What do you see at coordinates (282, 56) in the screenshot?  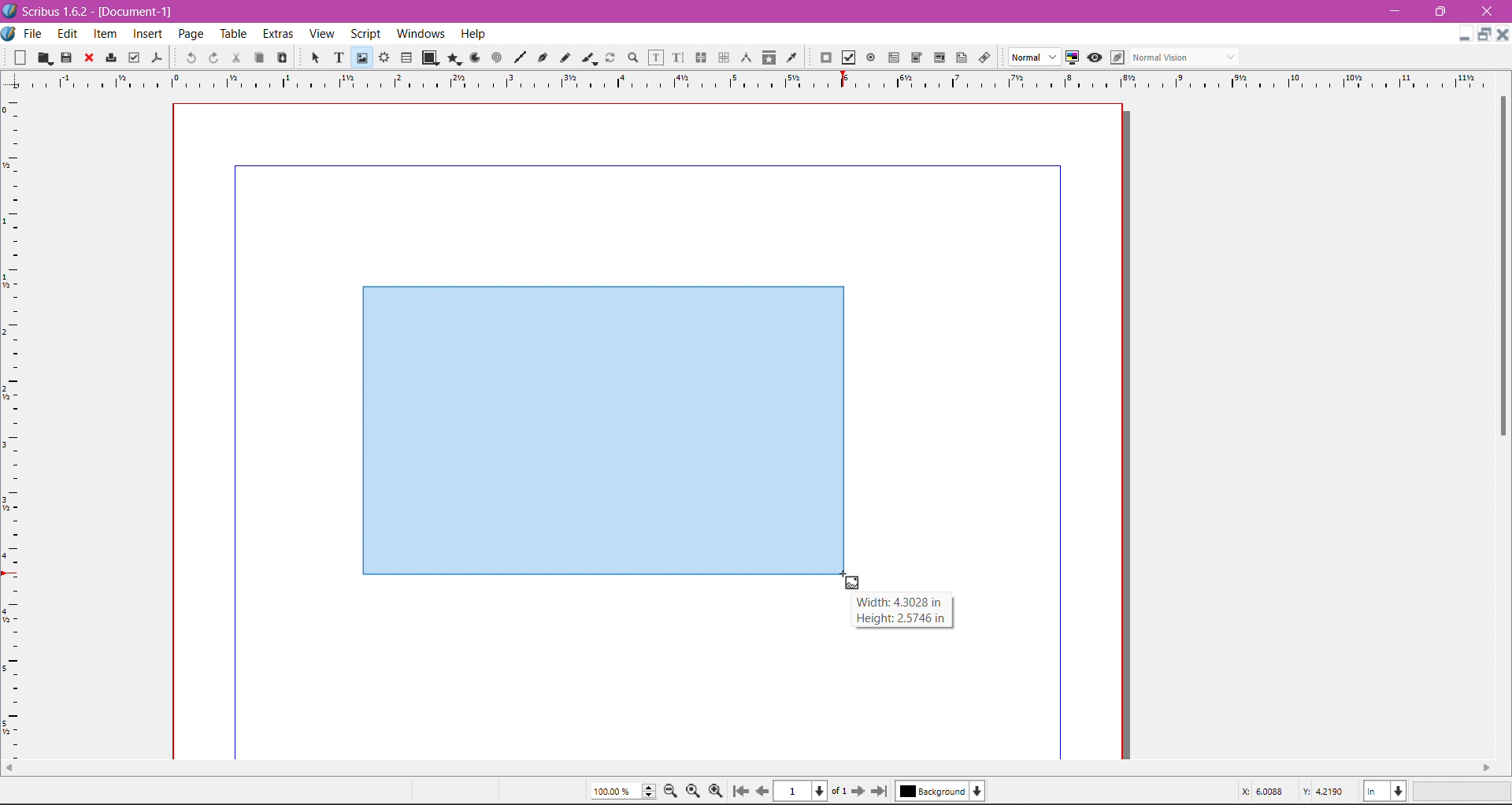 I see `Paste` at bounding box center [282, 56].